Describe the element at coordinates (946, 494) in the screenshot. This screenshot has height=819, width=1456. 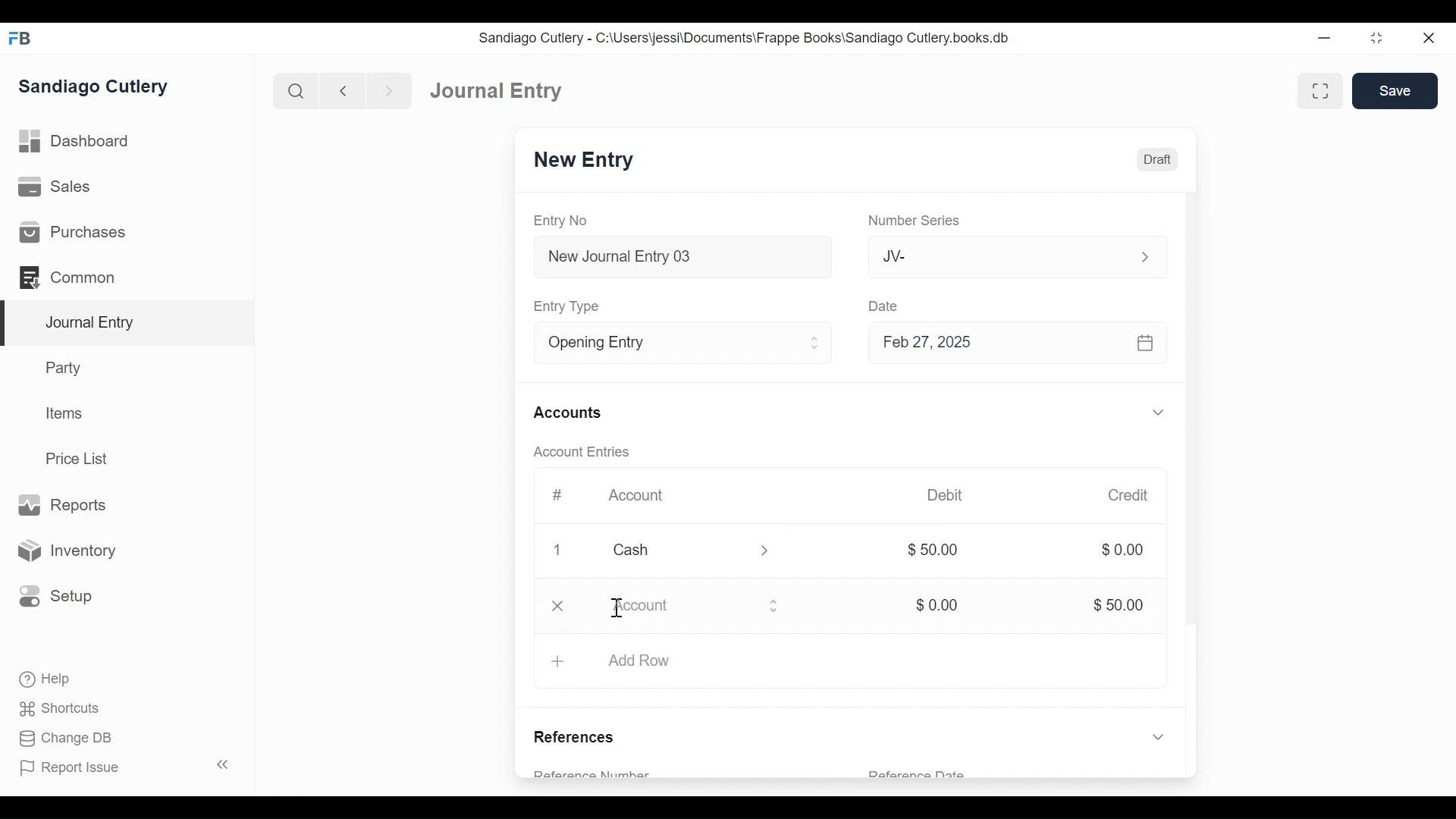
I see `Debit` at that location.